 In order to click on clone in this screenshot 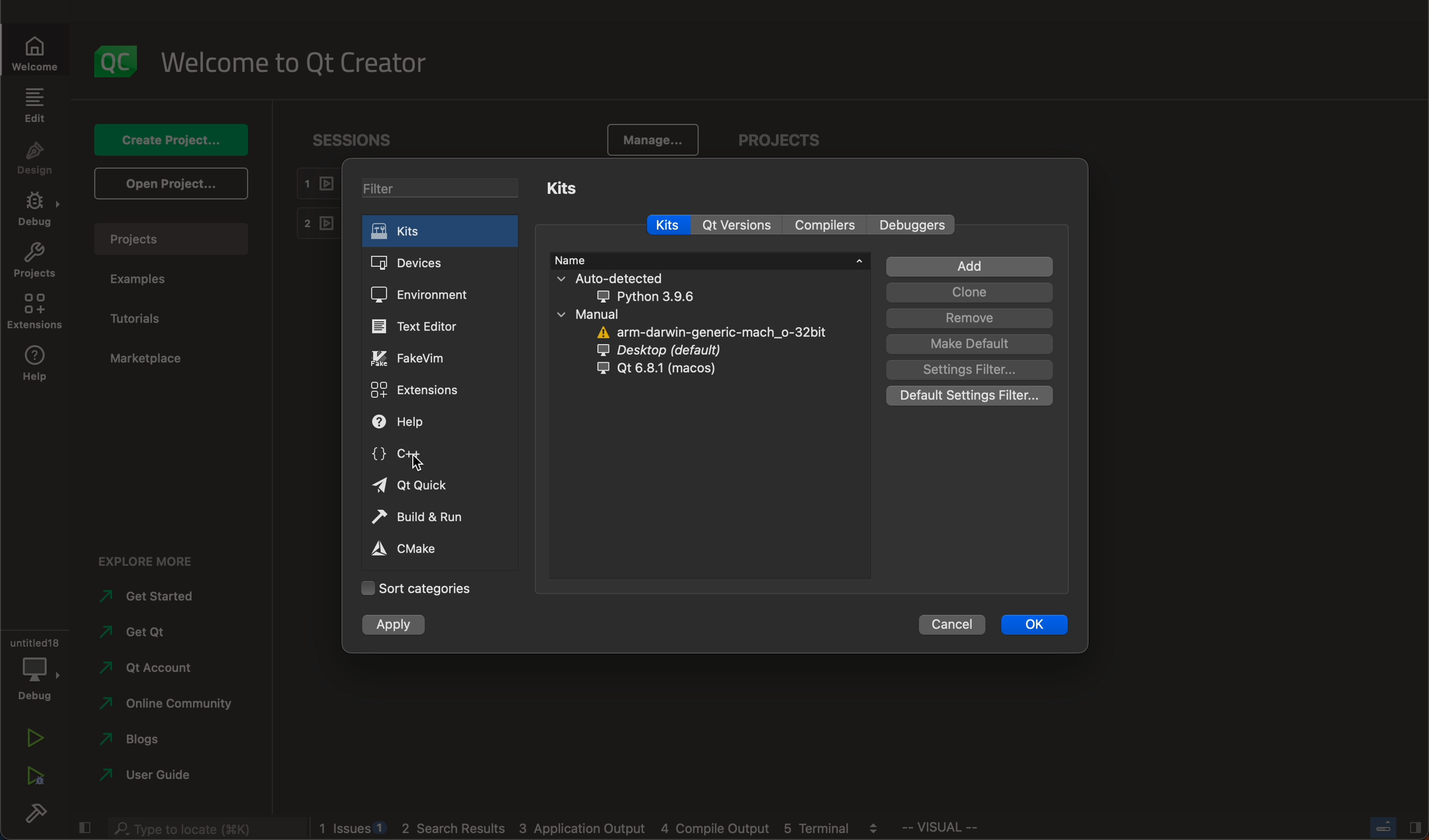, I will do `click(967, 294)`.